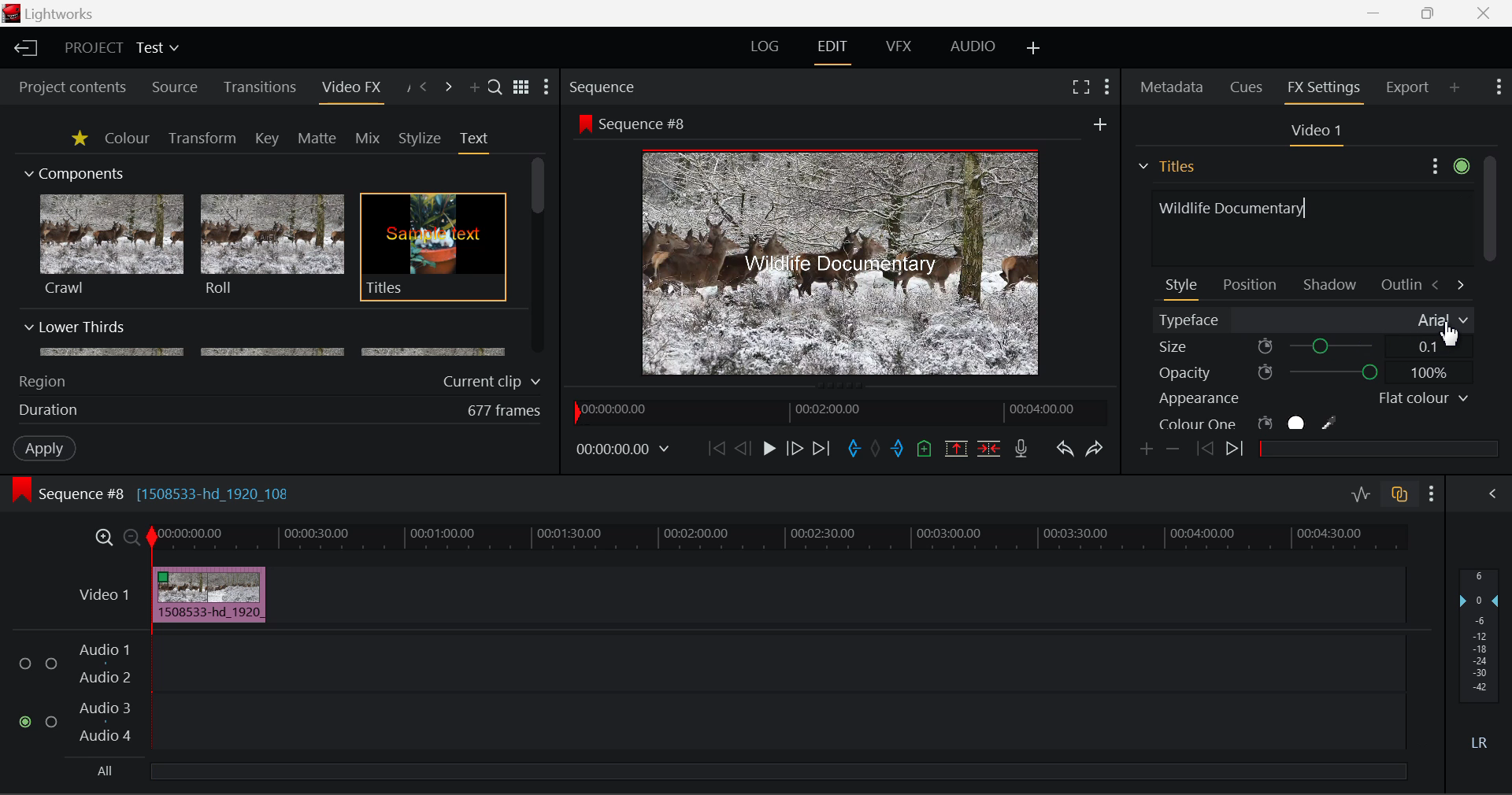 The height and width of the screenshot is (795, 1512). Describe the element at coordinates (1021, 452) in the screenshot. I see `Record Voiceover` at that location.